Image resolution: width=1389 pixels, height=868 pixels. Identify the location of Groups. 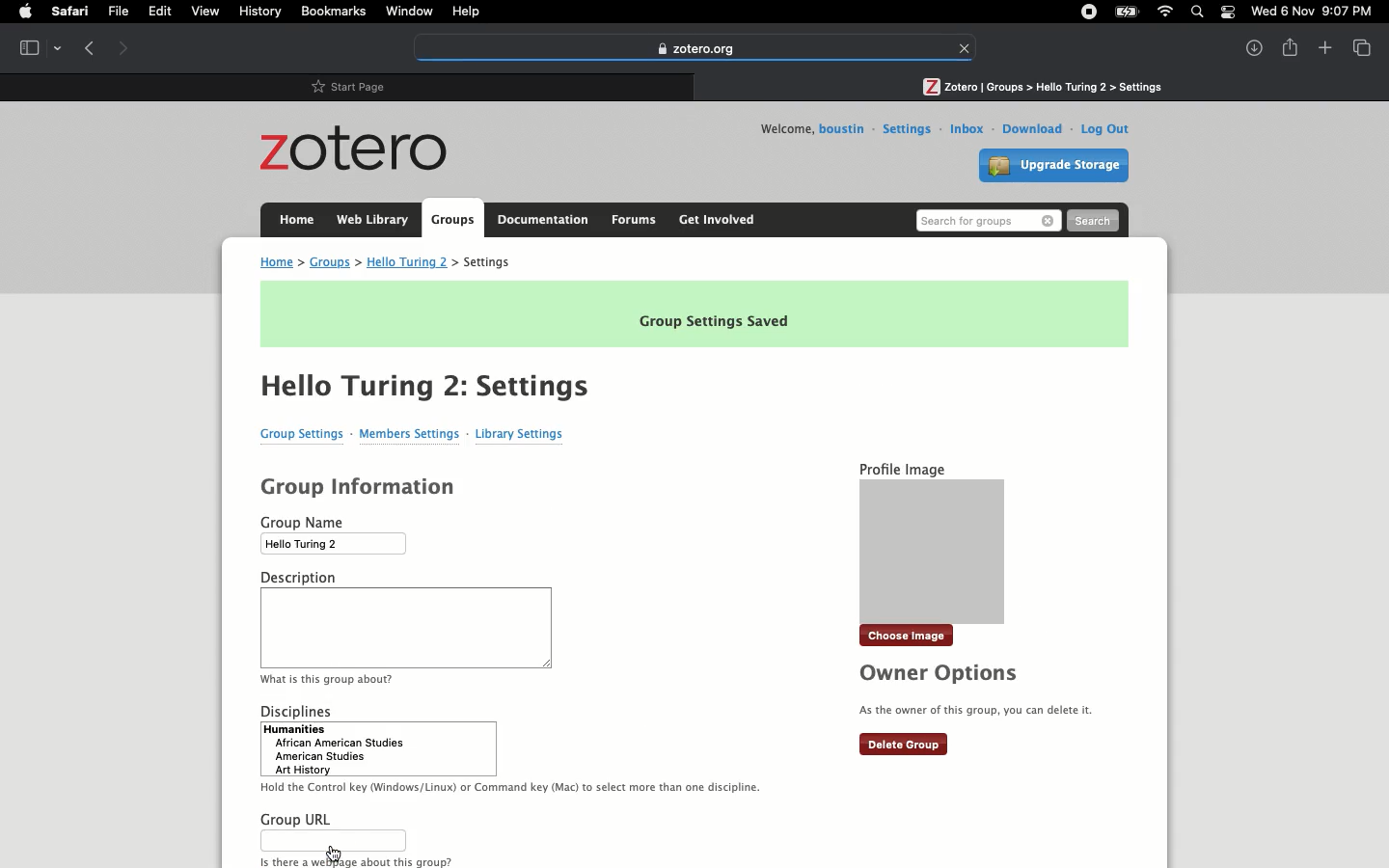
(450, 220).